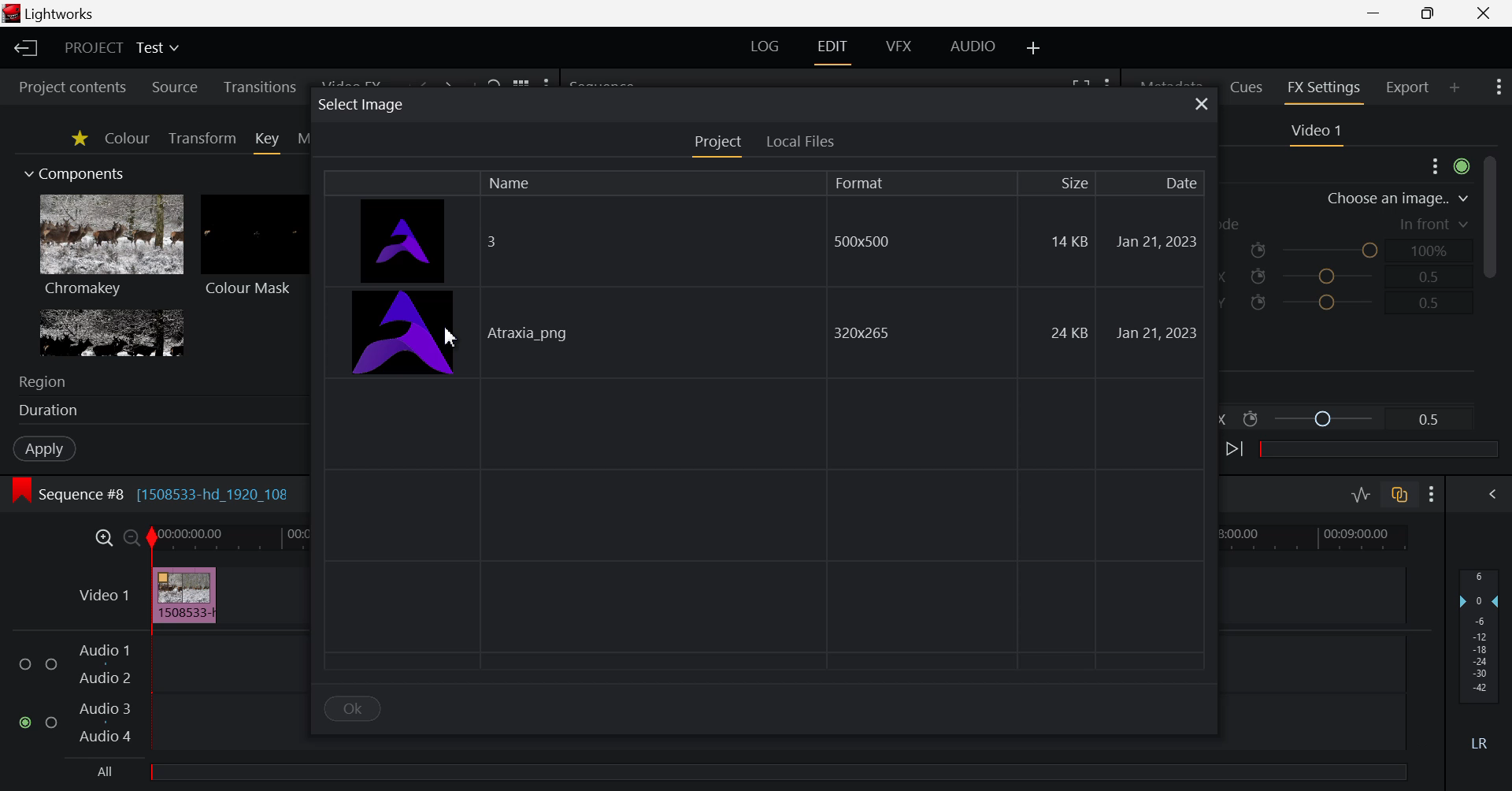 Image resolution: width=1512 pixels, height=791 pixels. What do you see at coordinates (1157, 242) in the screenshot?
I see `Jan 21,2023` at bounding box center [1157, 242].